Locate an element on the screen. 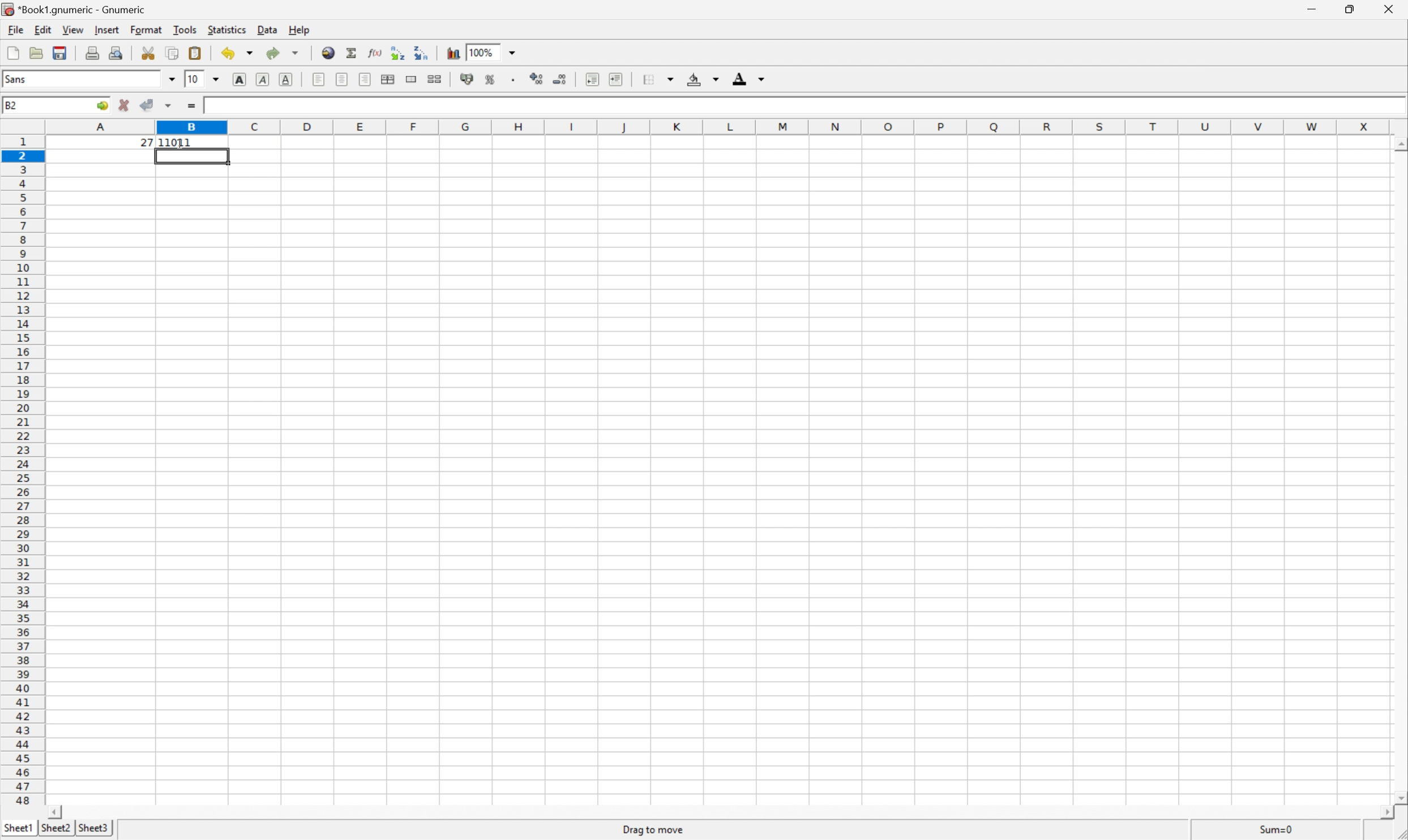 The image size is (1408, 840). Increase indent, and align the contents to the left is located at coordinates (615, 78).